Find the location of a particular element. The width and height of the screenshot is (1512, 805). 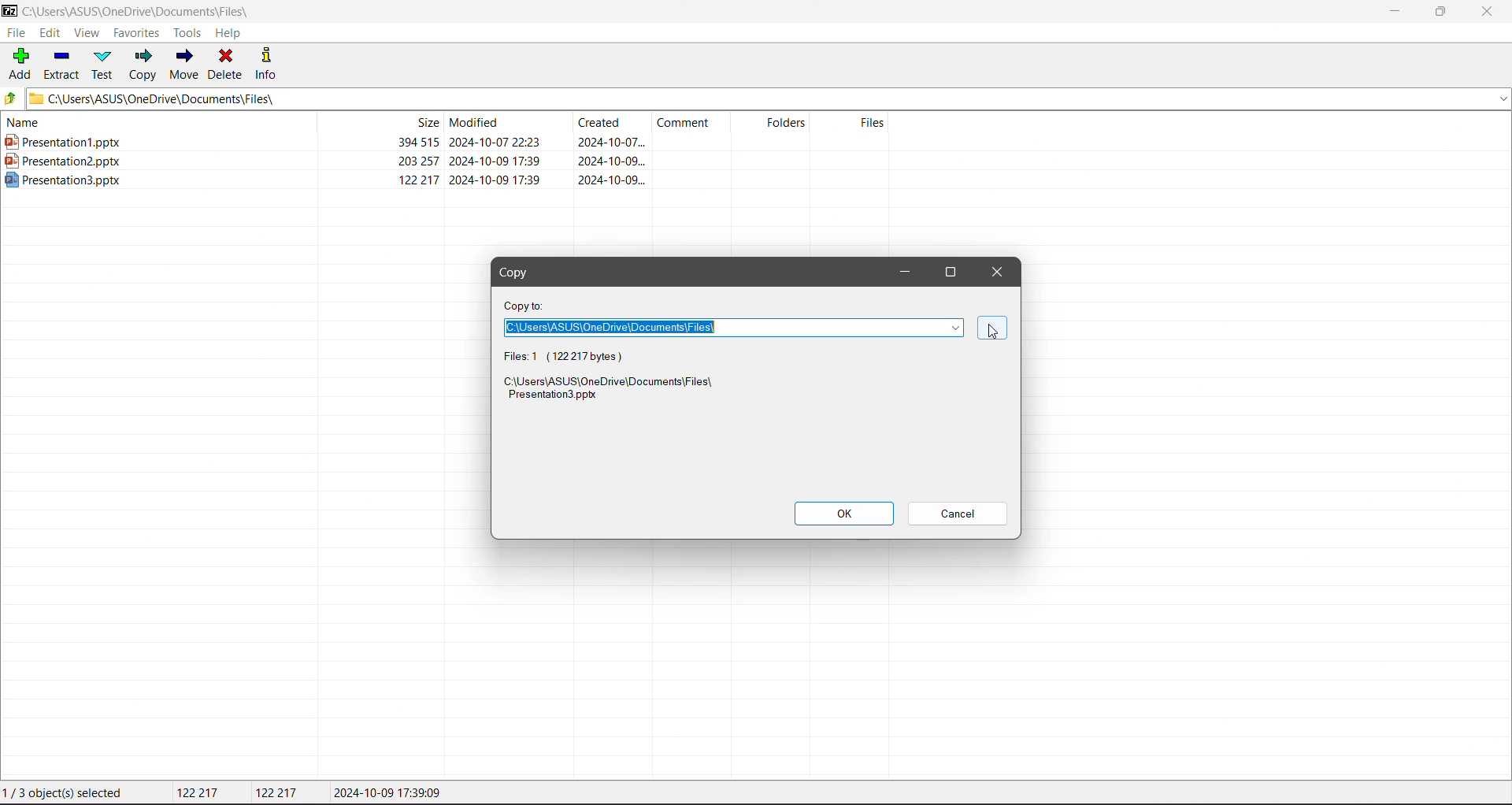

Modified Date is located at coordinates (509, 122).